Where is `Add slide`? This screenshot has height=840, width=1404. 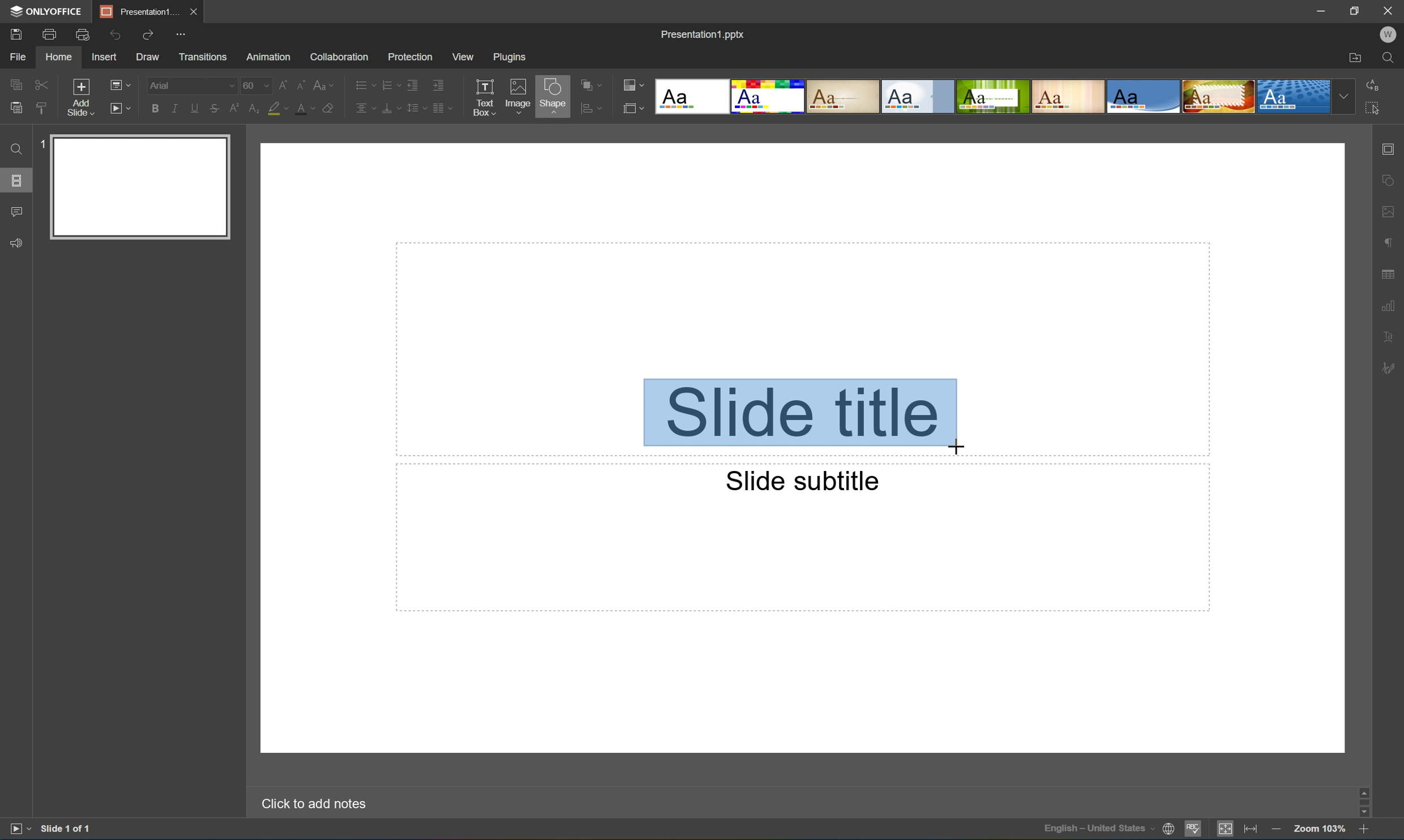 Add slide is located at coordinates (78, 96).